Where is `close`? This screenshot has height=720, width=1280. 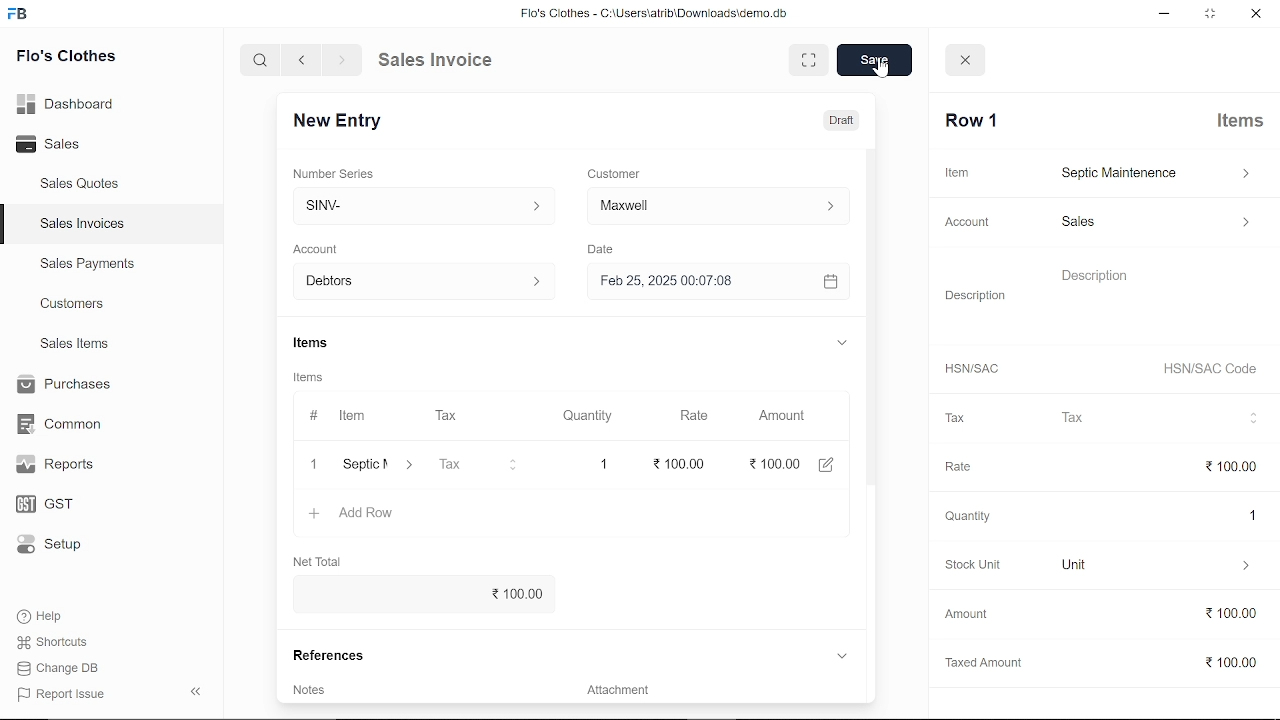 close is located at coordinates (967, 61).